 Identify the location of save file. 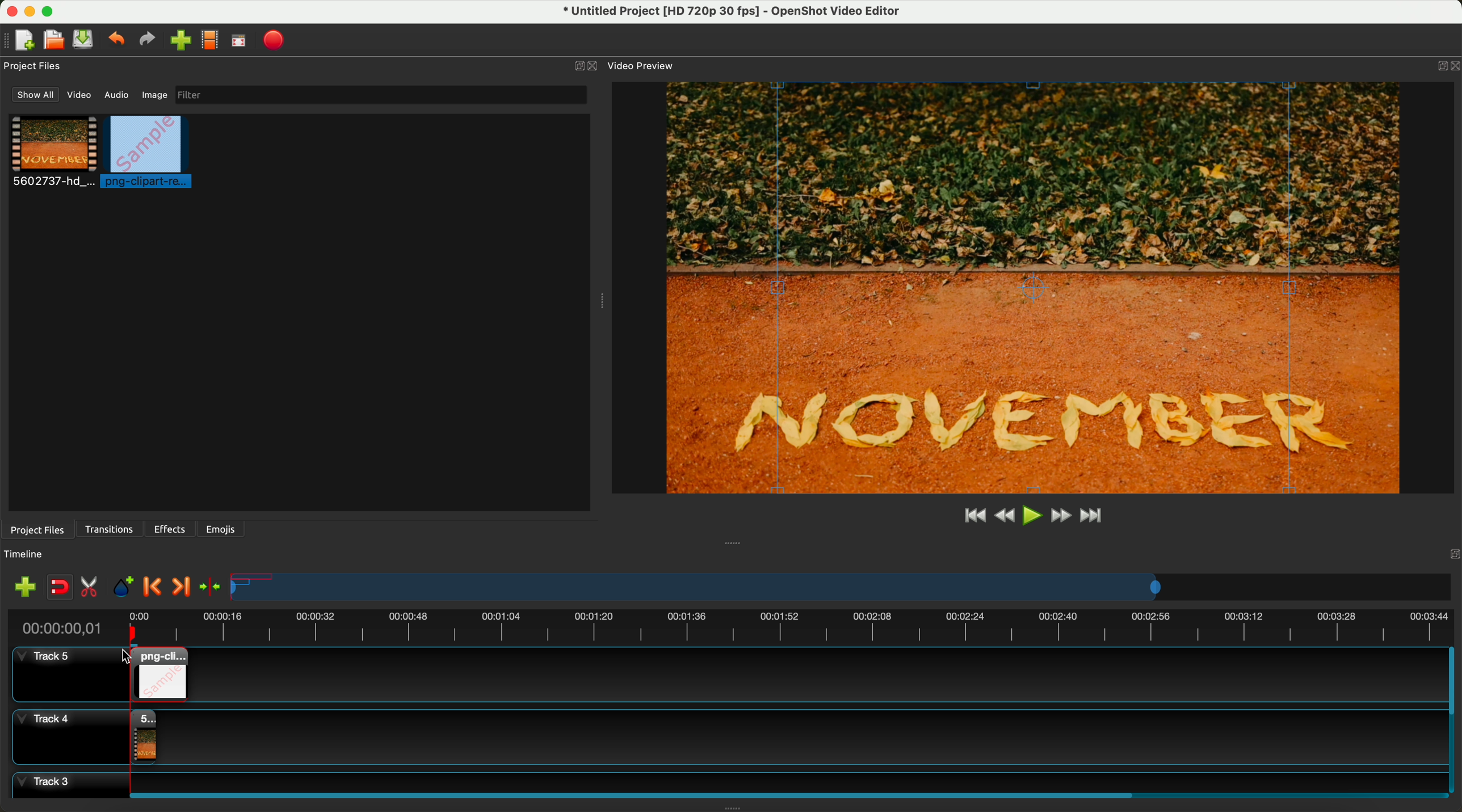
(85, 40).